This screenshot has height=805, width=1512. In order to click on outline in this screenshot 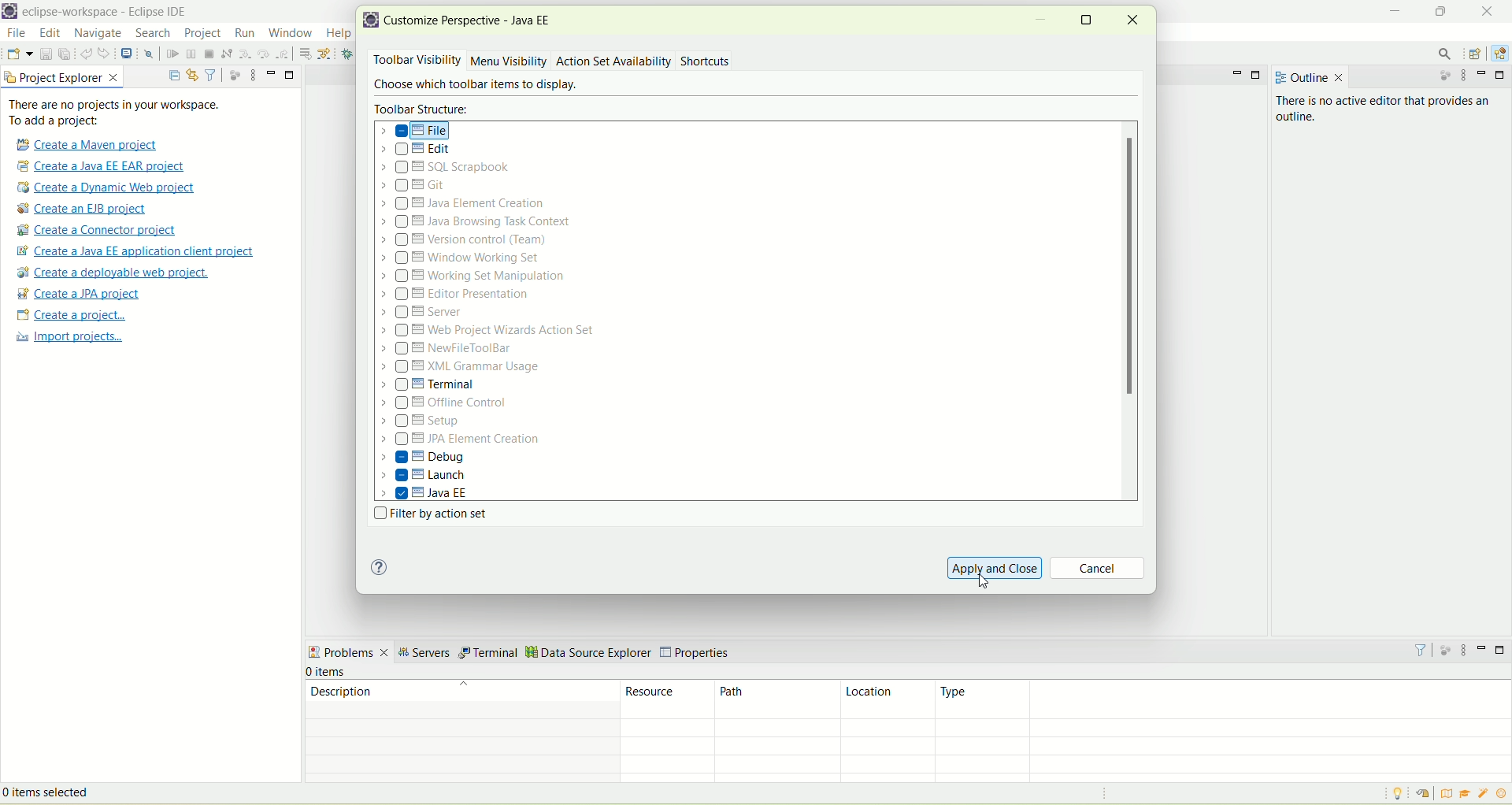, I will do `click(1306, 75)`.